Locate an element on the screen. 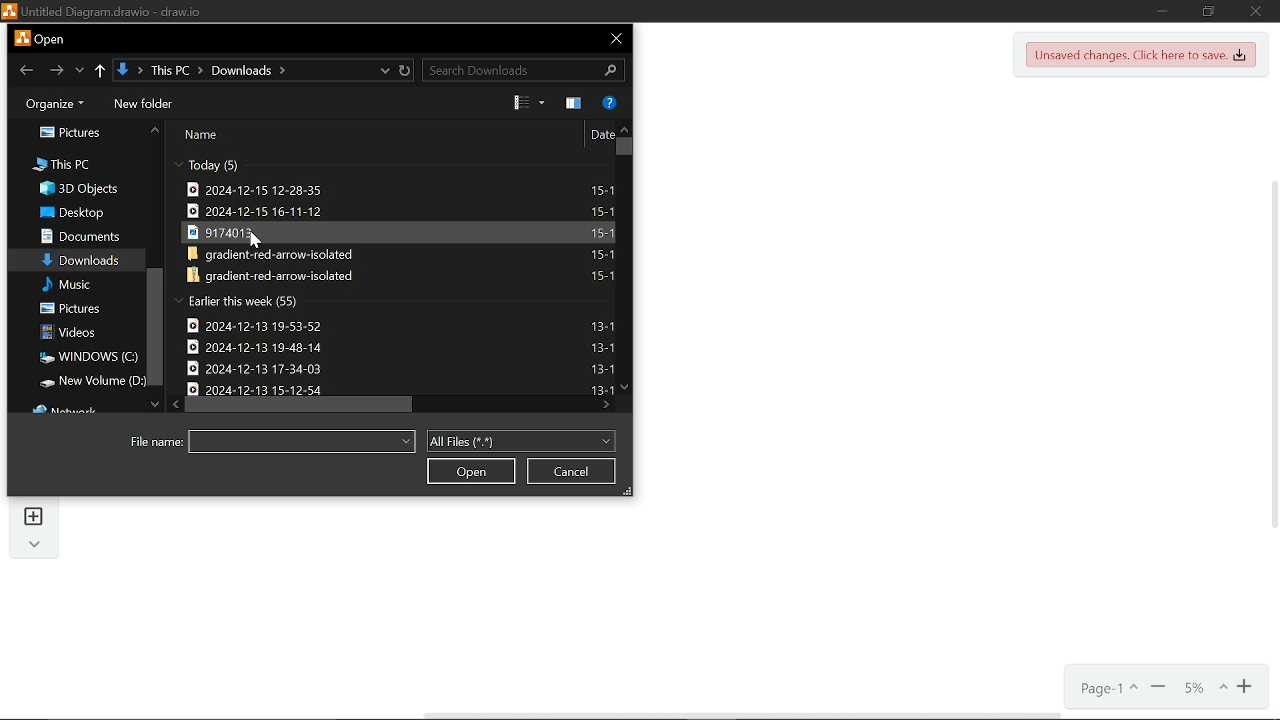  Refresh is located at coordinates (407, 70).